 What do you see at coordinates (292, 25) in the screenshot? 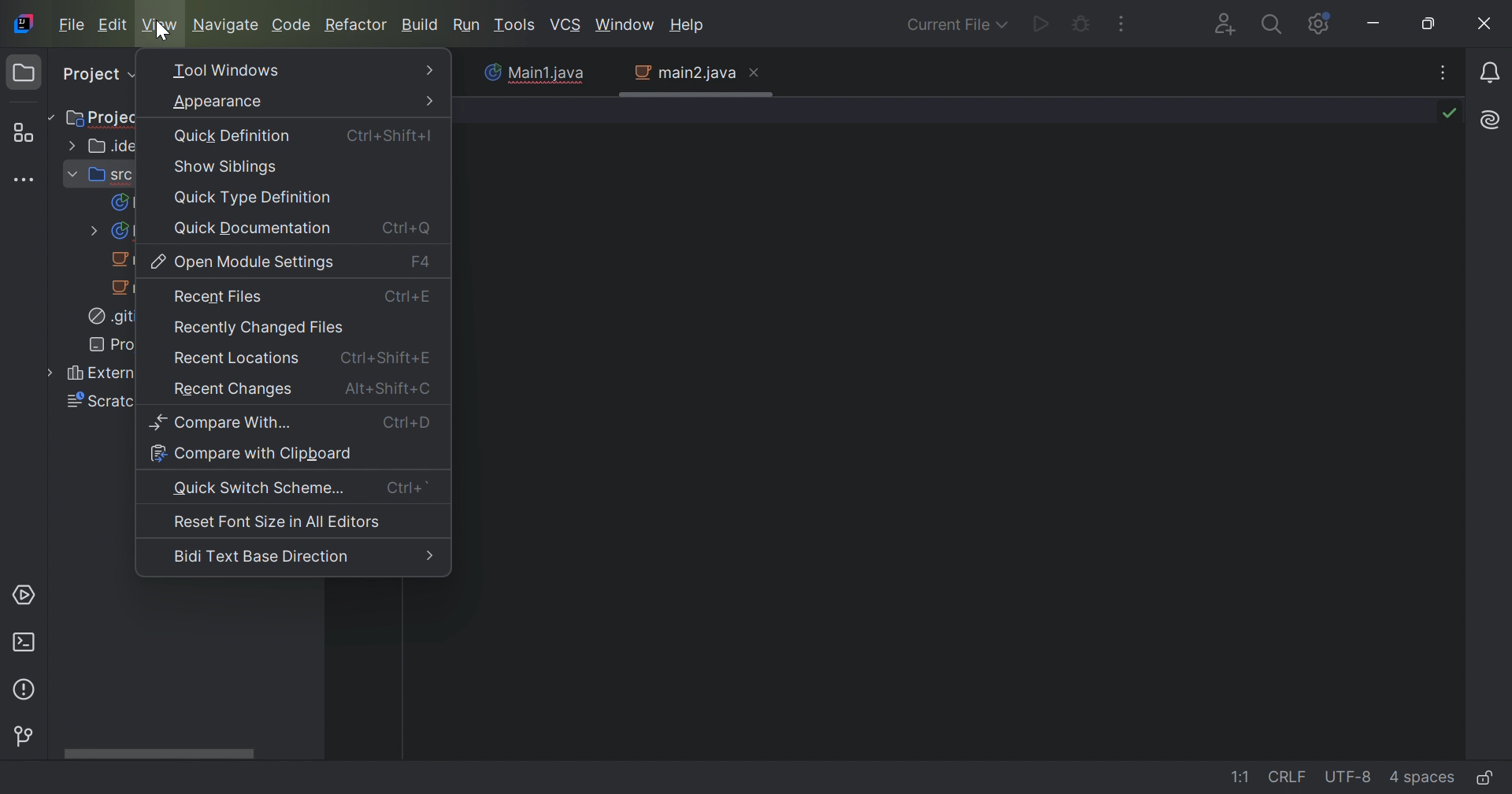
I see `ode` at bounding box center [292, 25].